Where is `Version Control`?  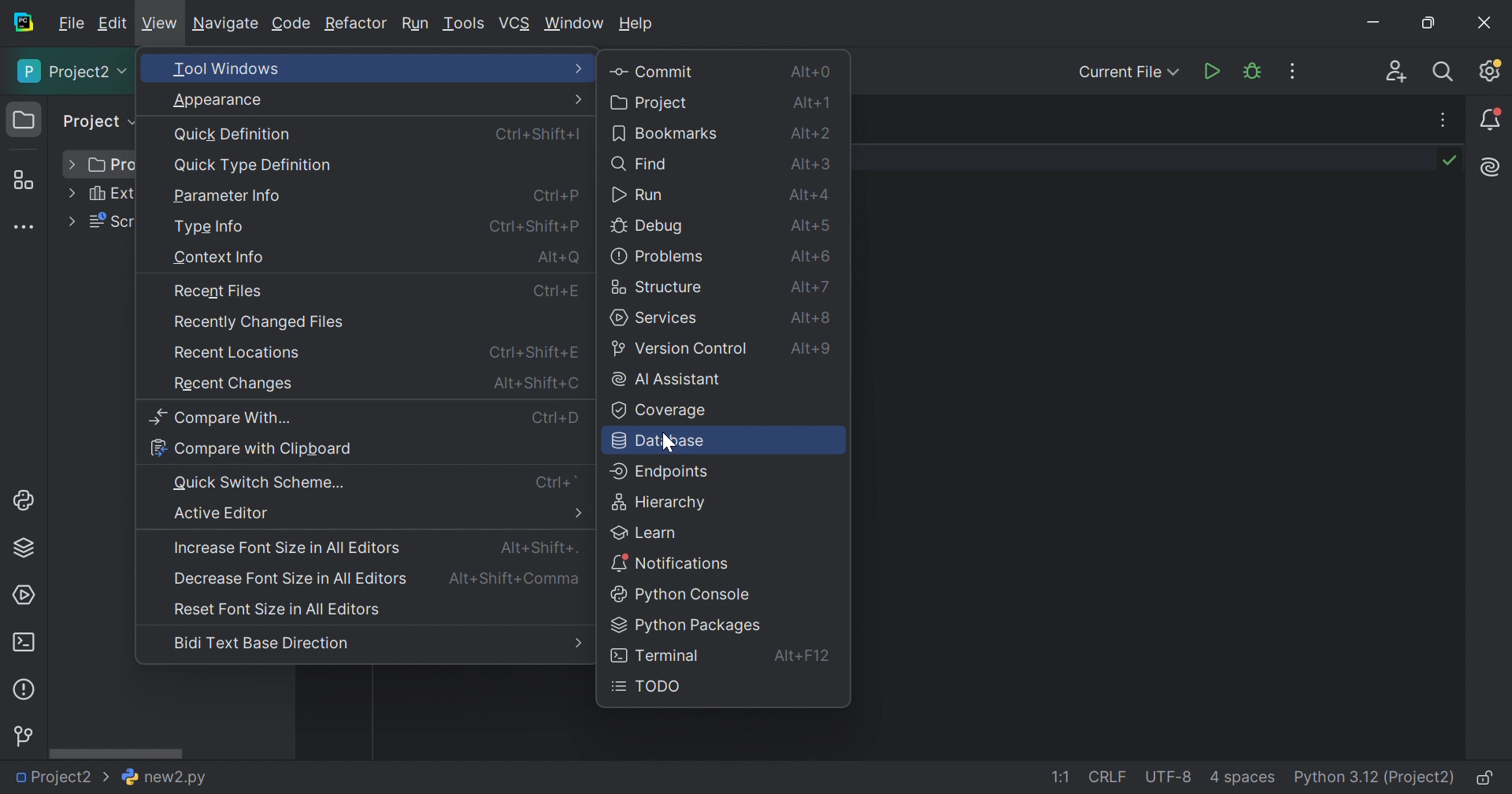 Version Control is located at coordinates (26, 733).